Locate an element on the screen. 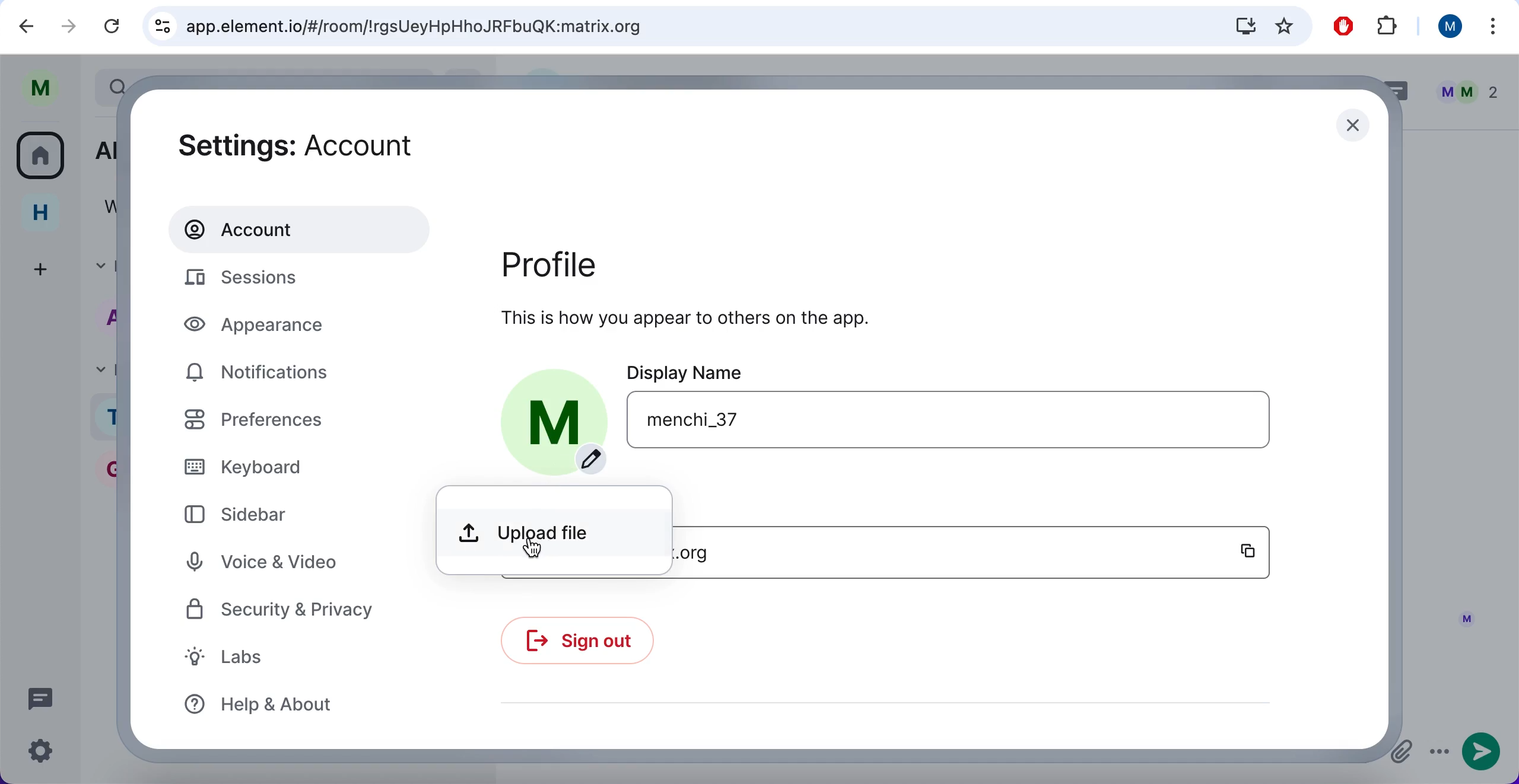  sidebar is located at coordinates (244, 516).